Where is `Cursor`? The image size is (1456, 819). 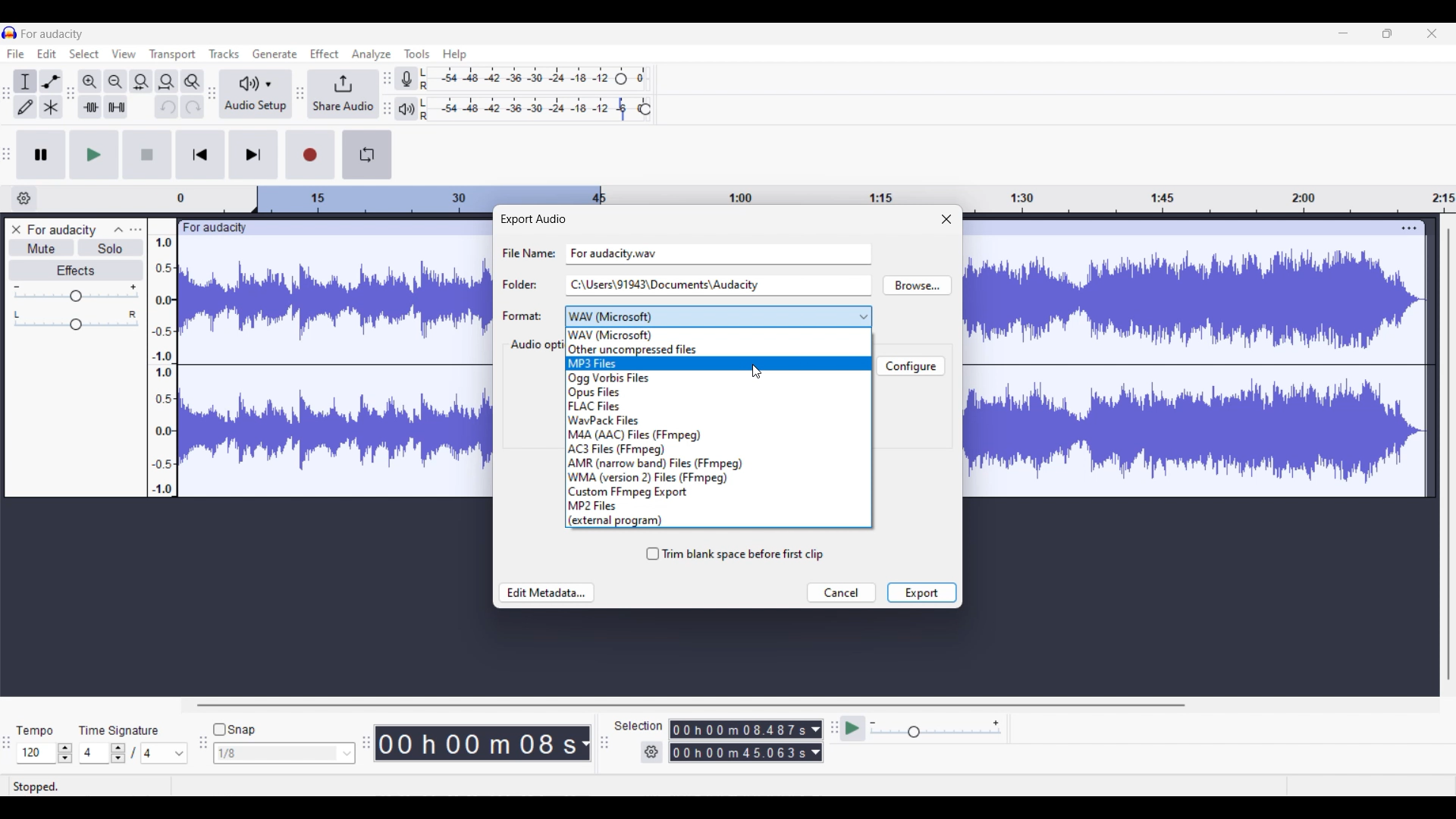
Cursor is located at coordinates (758, 372).